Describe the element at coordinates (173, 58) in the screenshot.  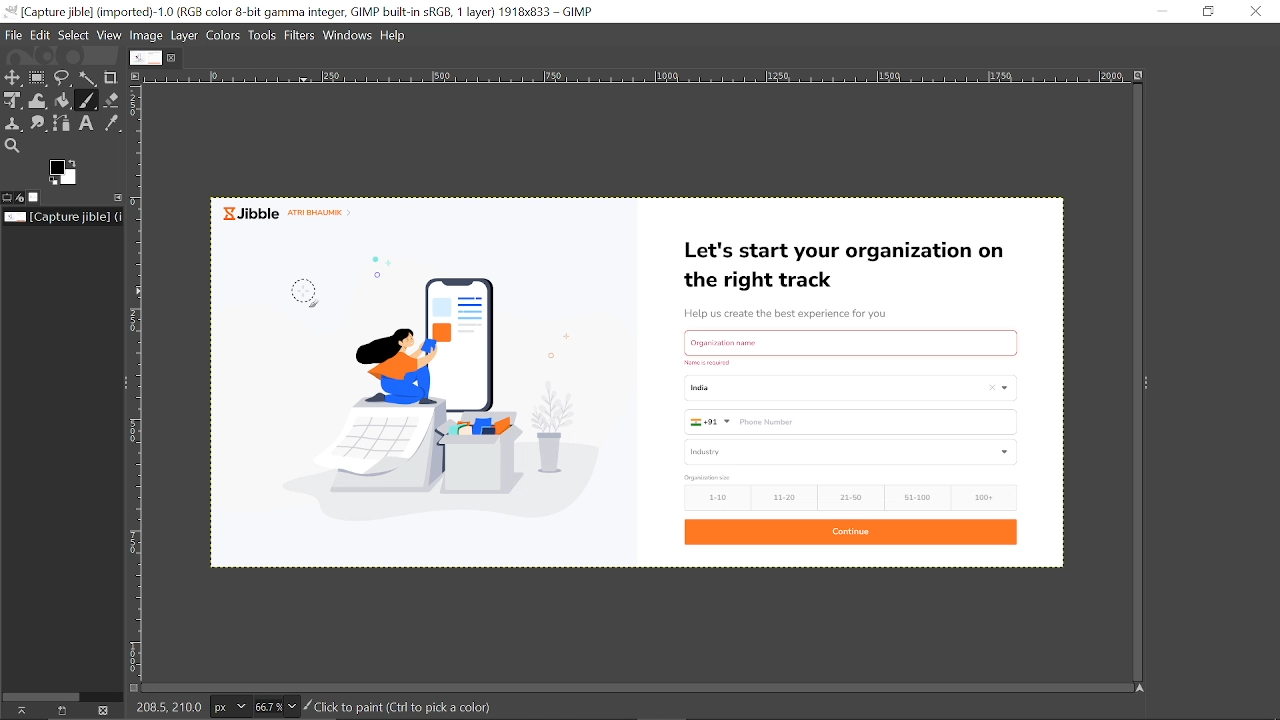
I see `Close tab` at that location.